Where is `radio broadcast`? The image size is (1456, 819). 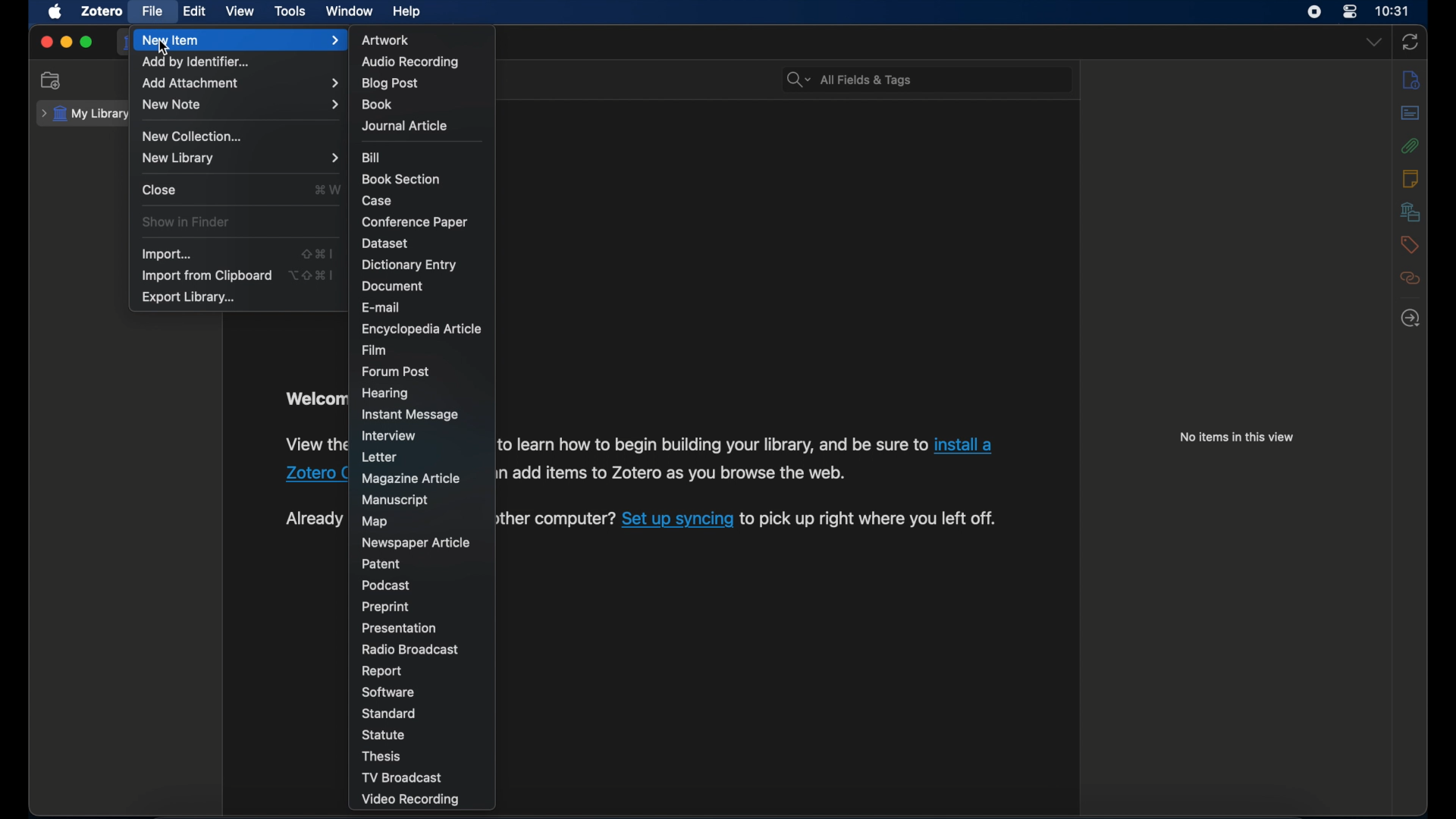
radio broadcast is located at coordinates (409, 649).